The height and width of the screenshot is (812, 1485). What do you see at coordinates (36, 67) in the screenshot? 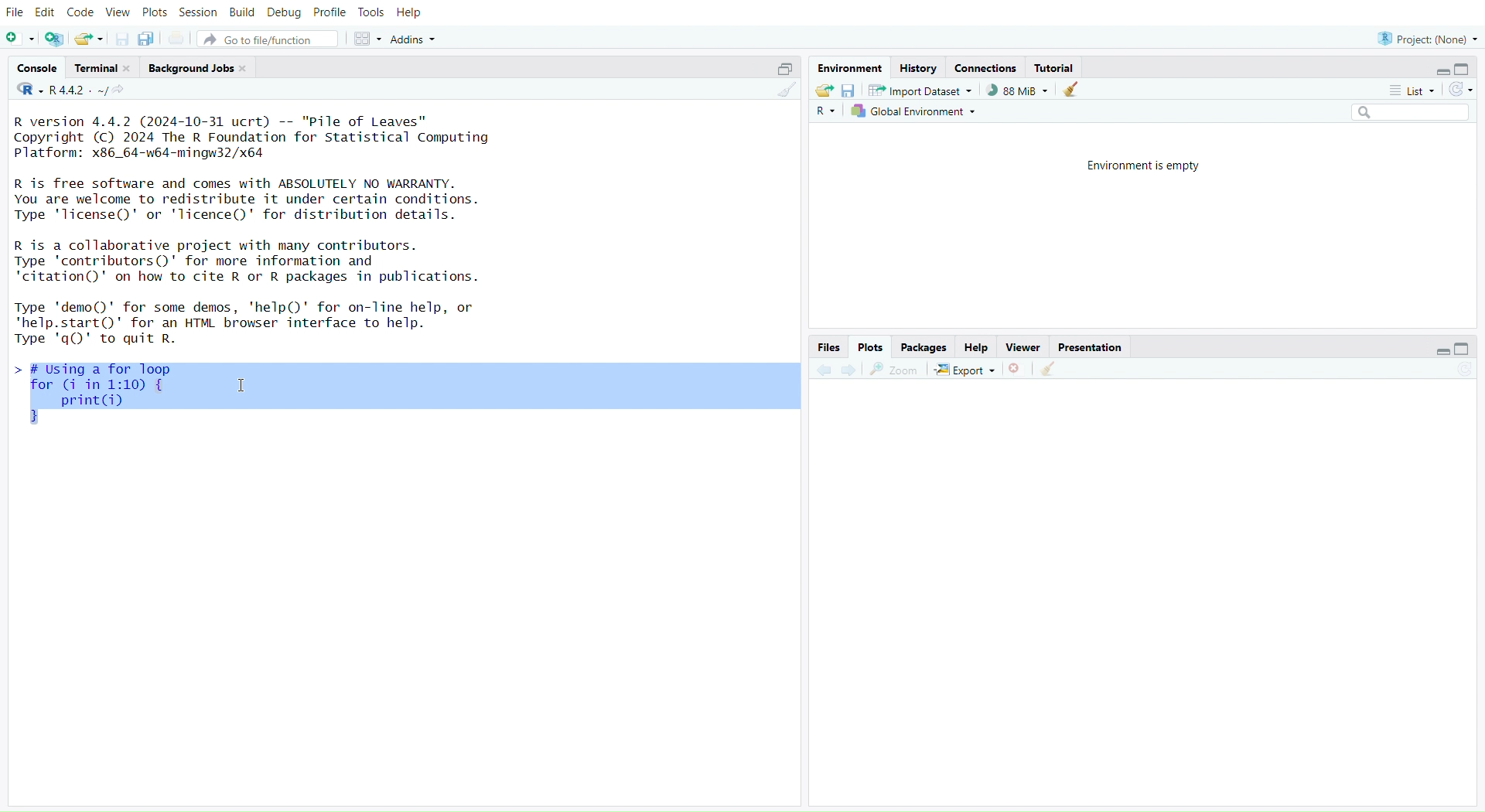
I see `console` at bounding box center [36, 67].